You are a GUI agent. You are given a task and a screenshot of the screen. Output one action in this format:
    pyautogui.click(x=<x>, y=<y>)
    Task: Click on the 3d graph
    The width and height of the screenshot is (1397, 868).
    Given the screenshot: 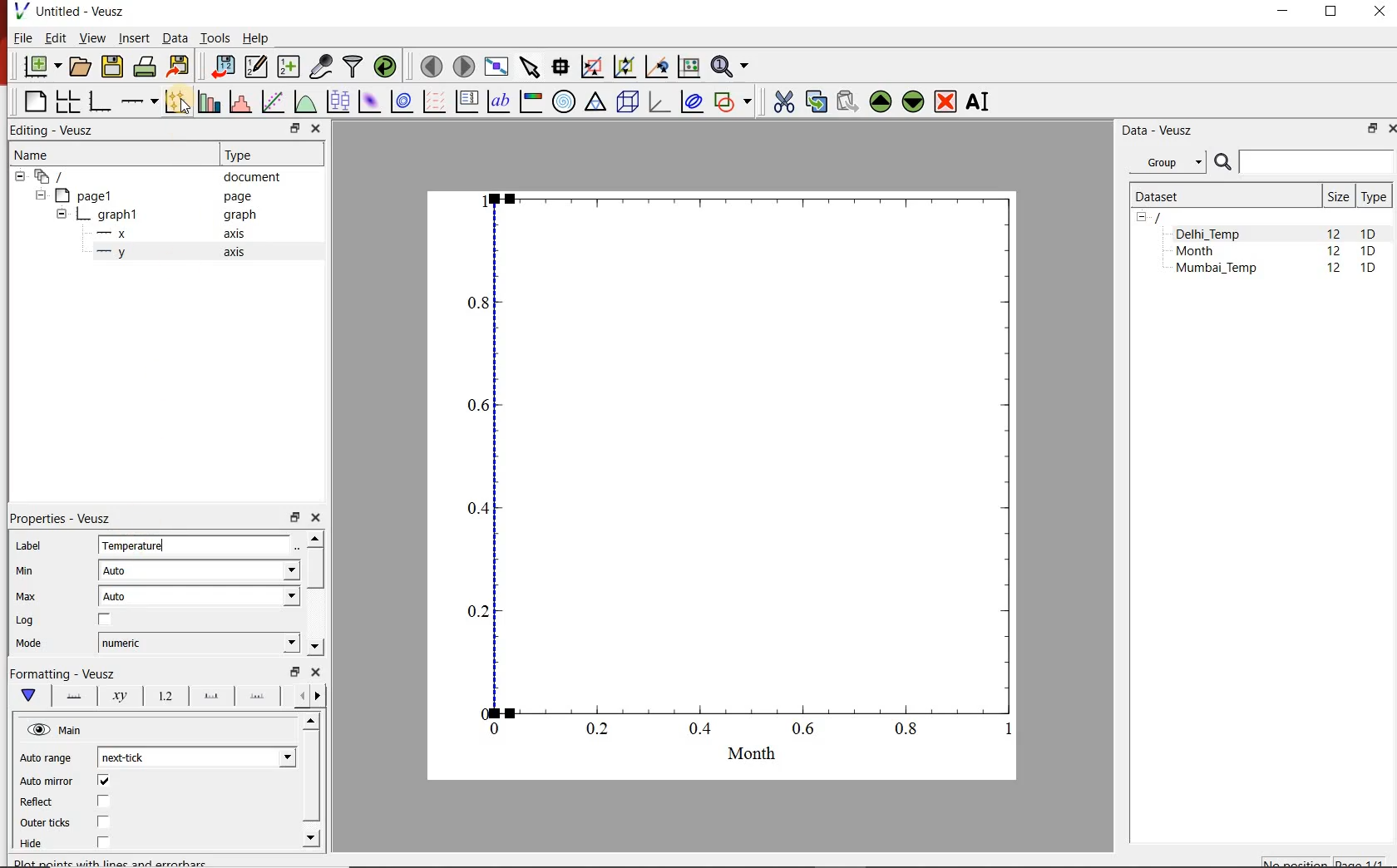 What is the action you would take?
    pyautogui.click(x=657, y=101)
    